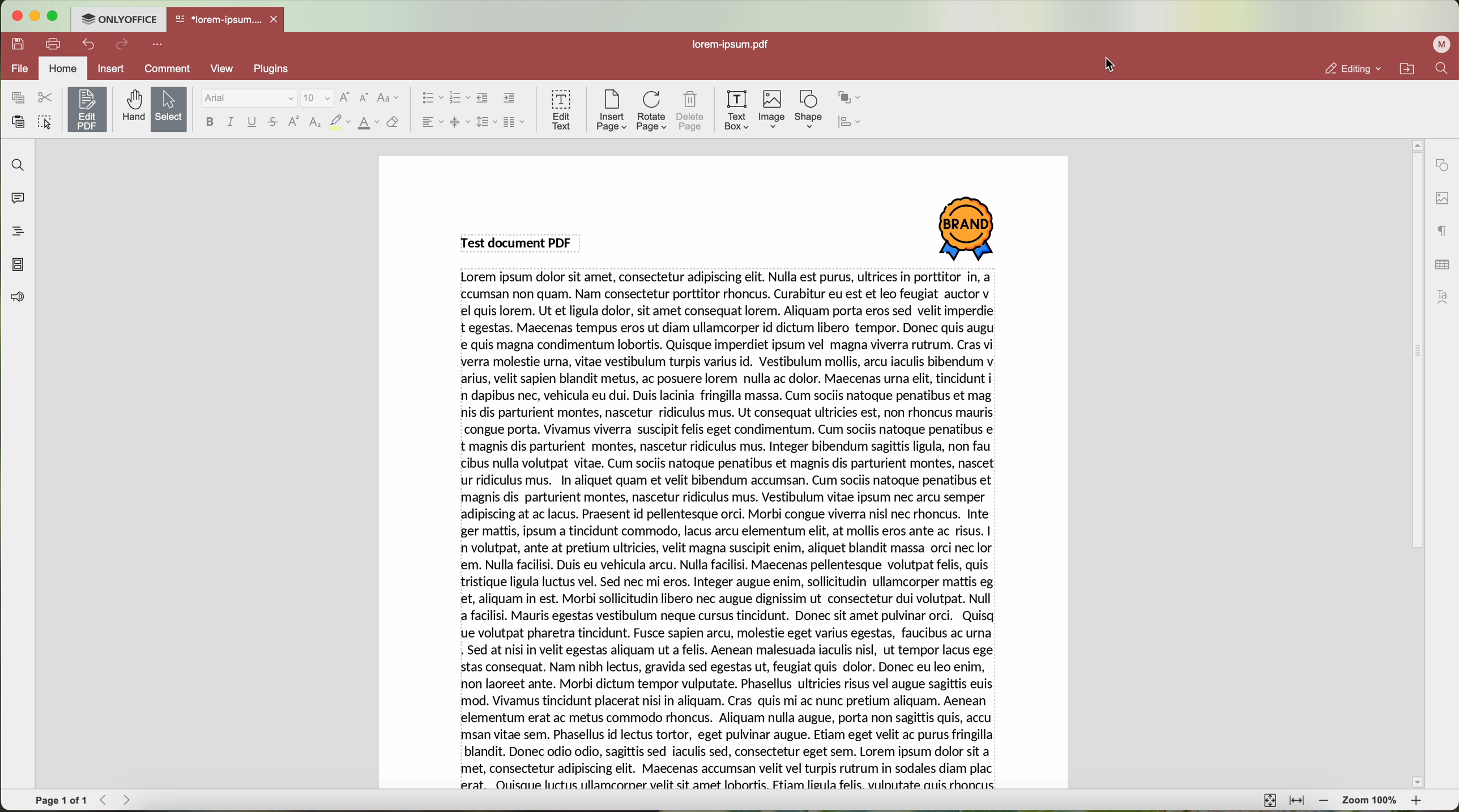  Describe the element at coordinates (1410, 69) in the screenshot. I see `open file location` at that location.